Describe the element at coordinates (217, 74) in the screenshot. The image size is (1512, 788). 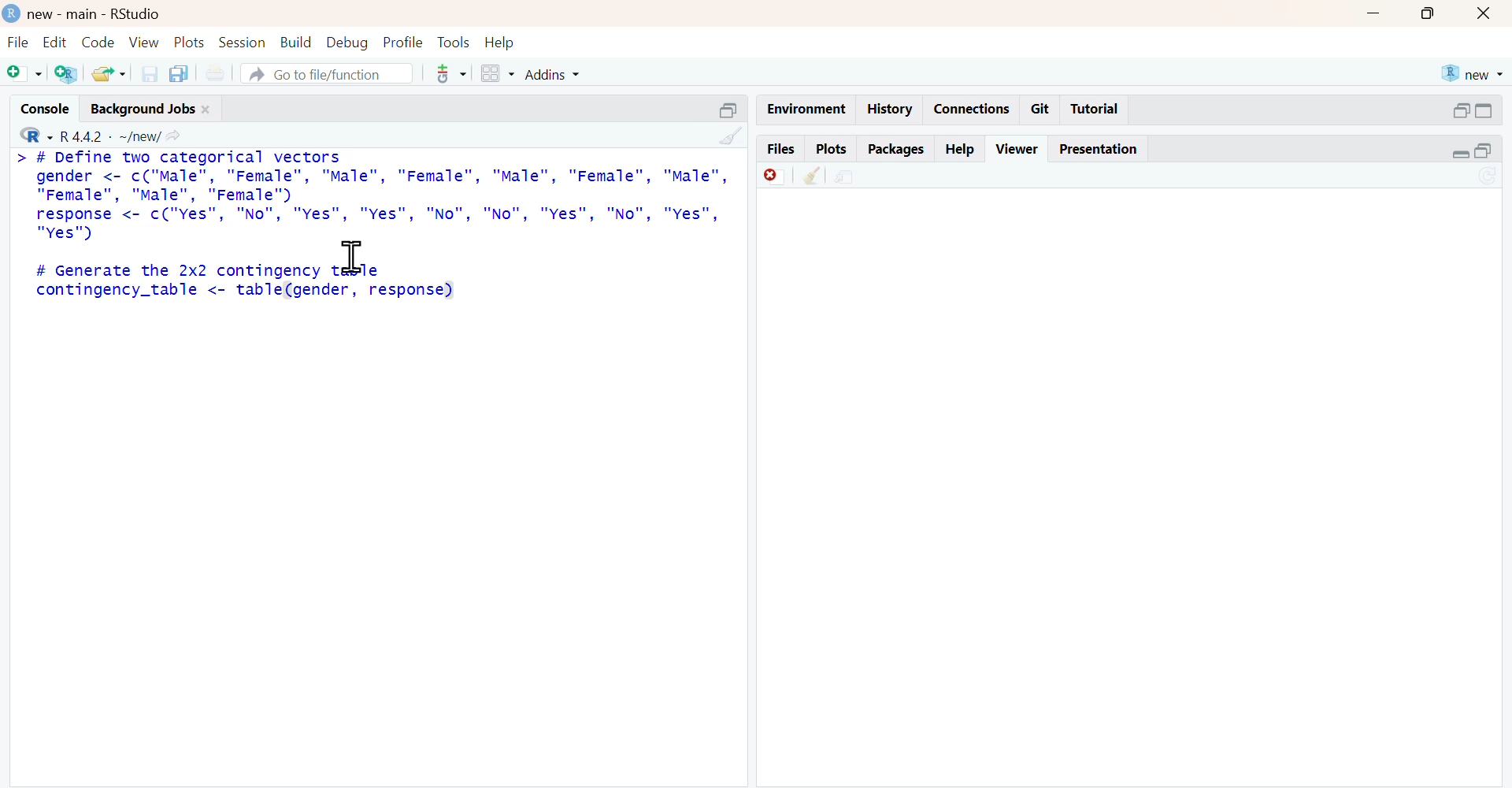
I see `print` at that location.